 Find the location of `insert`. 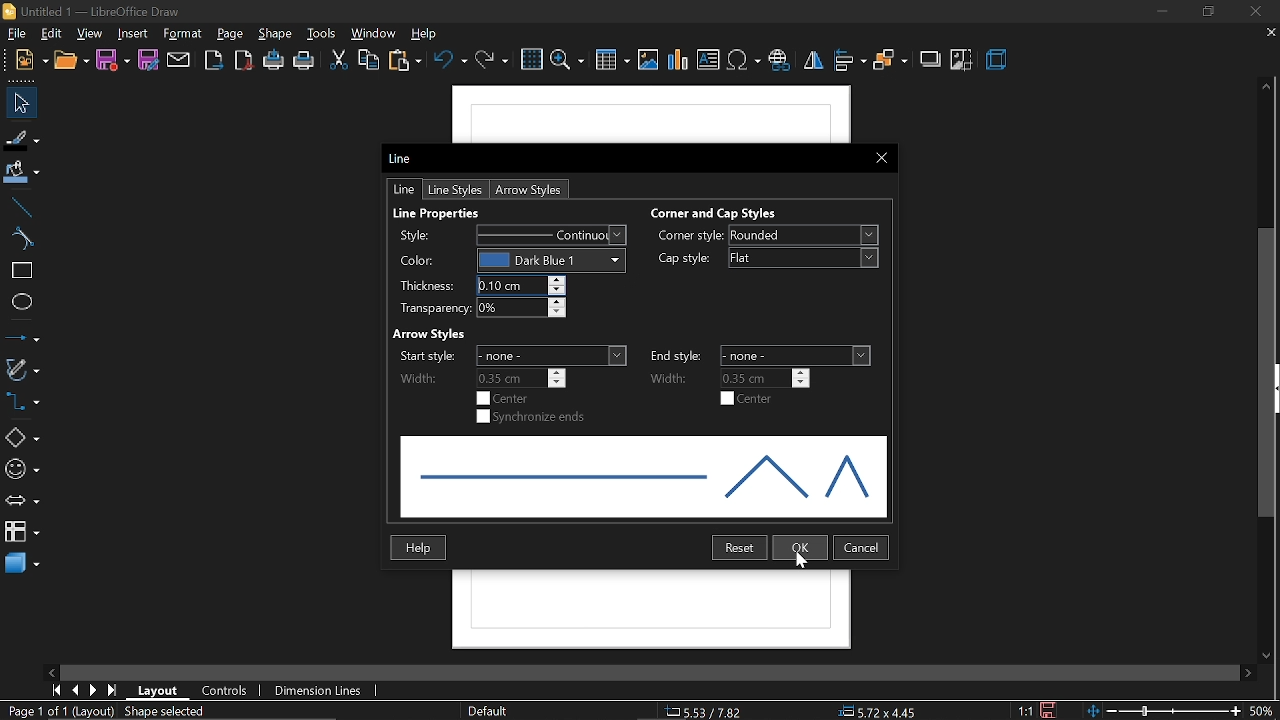

insert is located at coordinates (133, 33).